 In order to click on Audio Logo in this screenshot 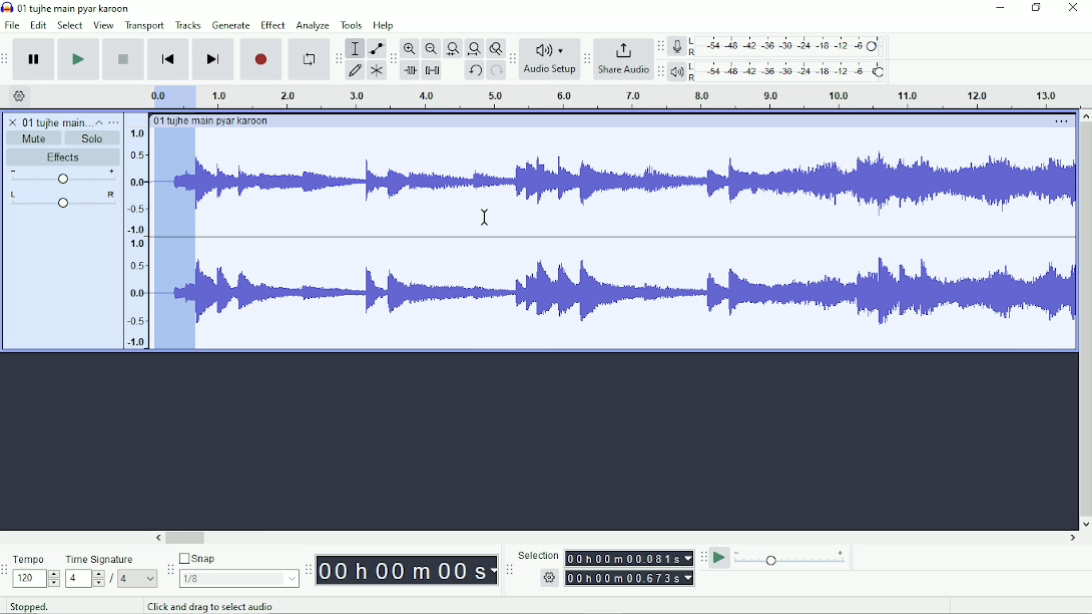, I will do `click(550, 46)`.